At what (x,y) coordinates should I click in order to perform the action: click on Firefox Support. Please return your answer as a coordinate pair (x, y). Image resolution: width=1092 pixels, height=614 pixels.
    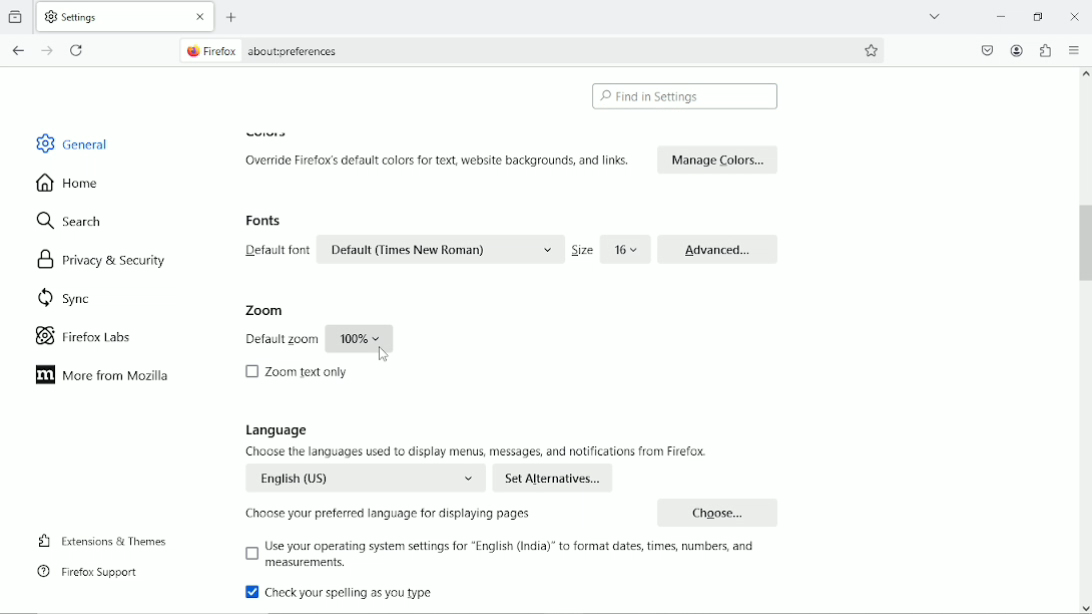
    Looking at the image, I should click on (91, 572).